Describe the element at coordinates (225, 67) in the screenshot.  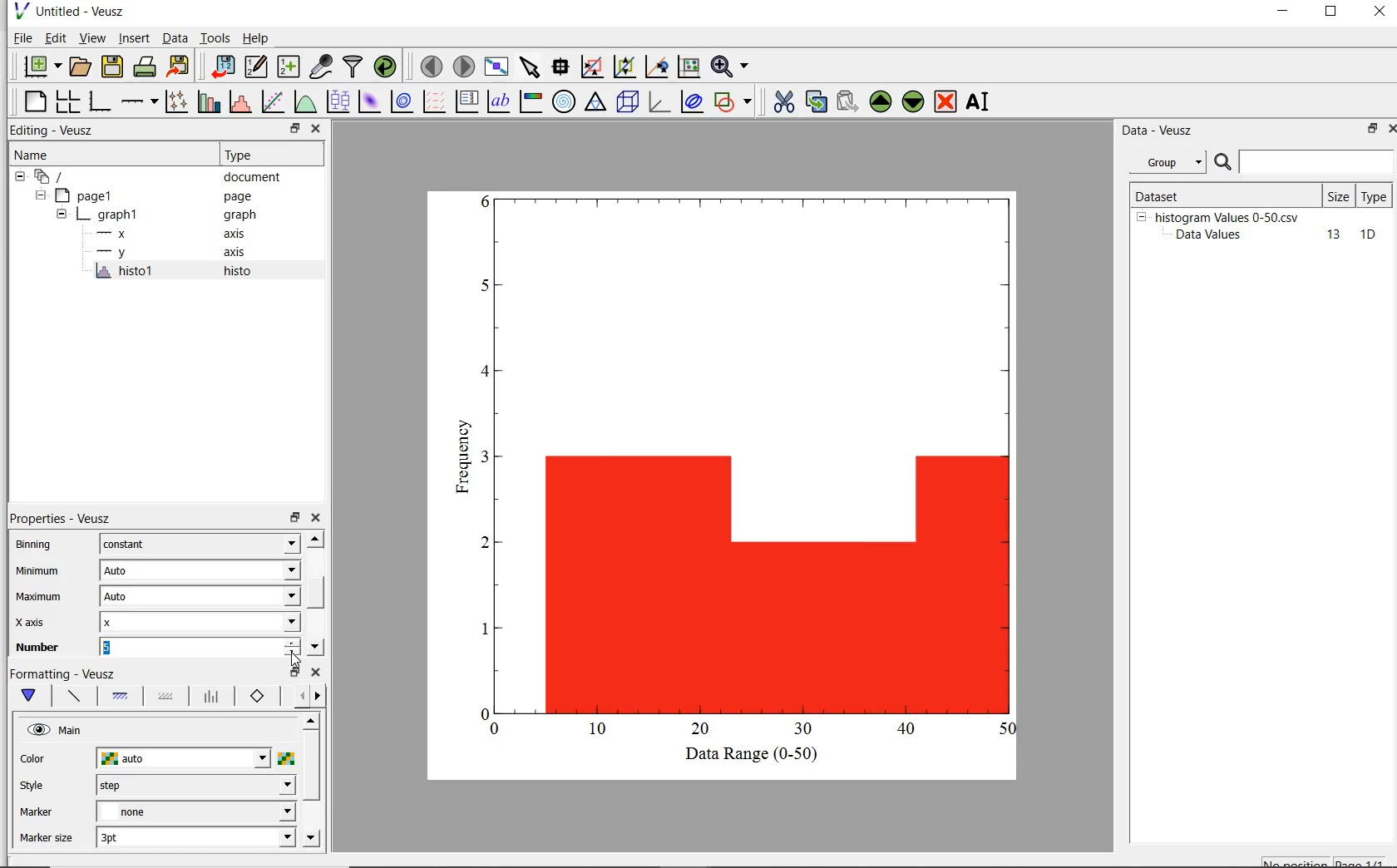
I see `import data into veusz` at that location.